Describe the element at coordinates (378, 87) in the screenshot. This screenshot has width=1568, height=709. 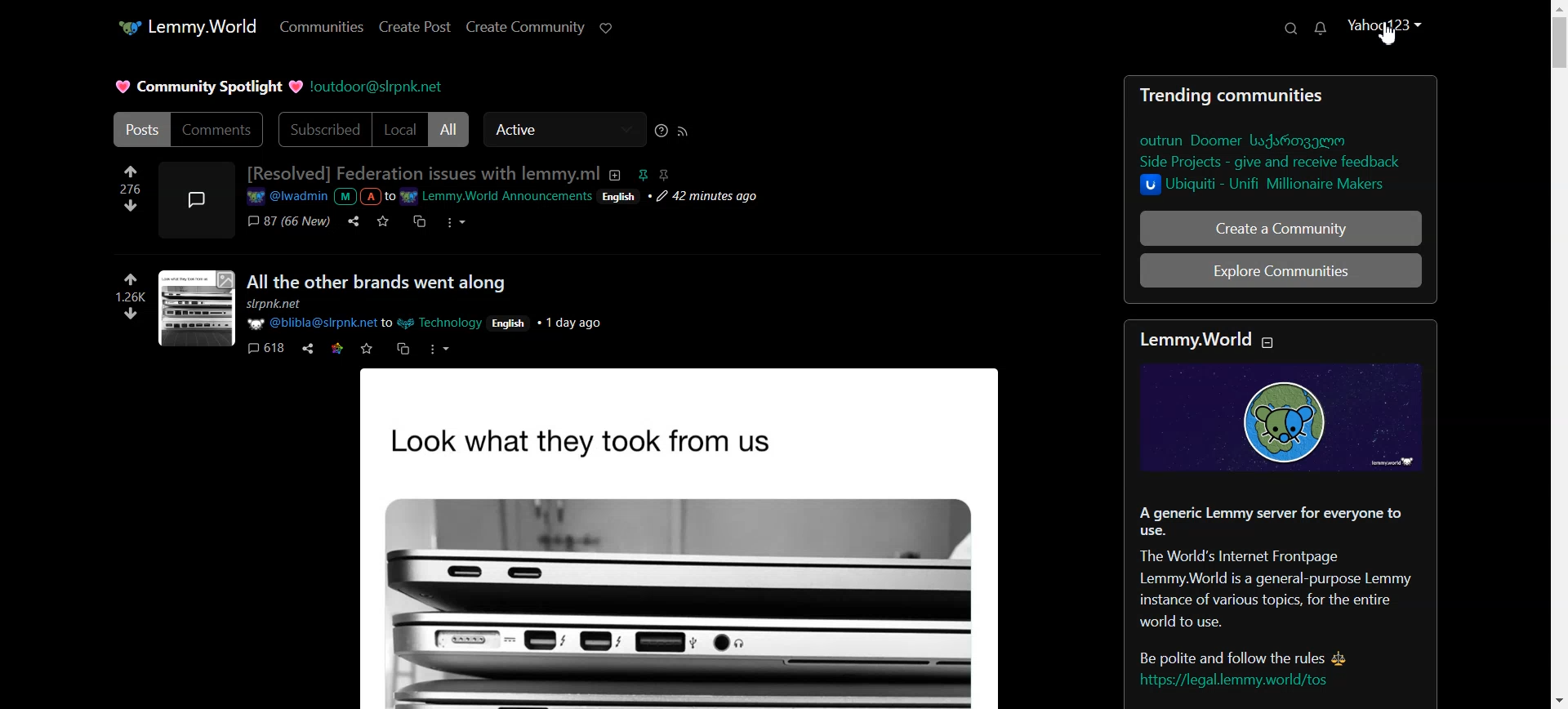
I see `Hyperlink` at that location.